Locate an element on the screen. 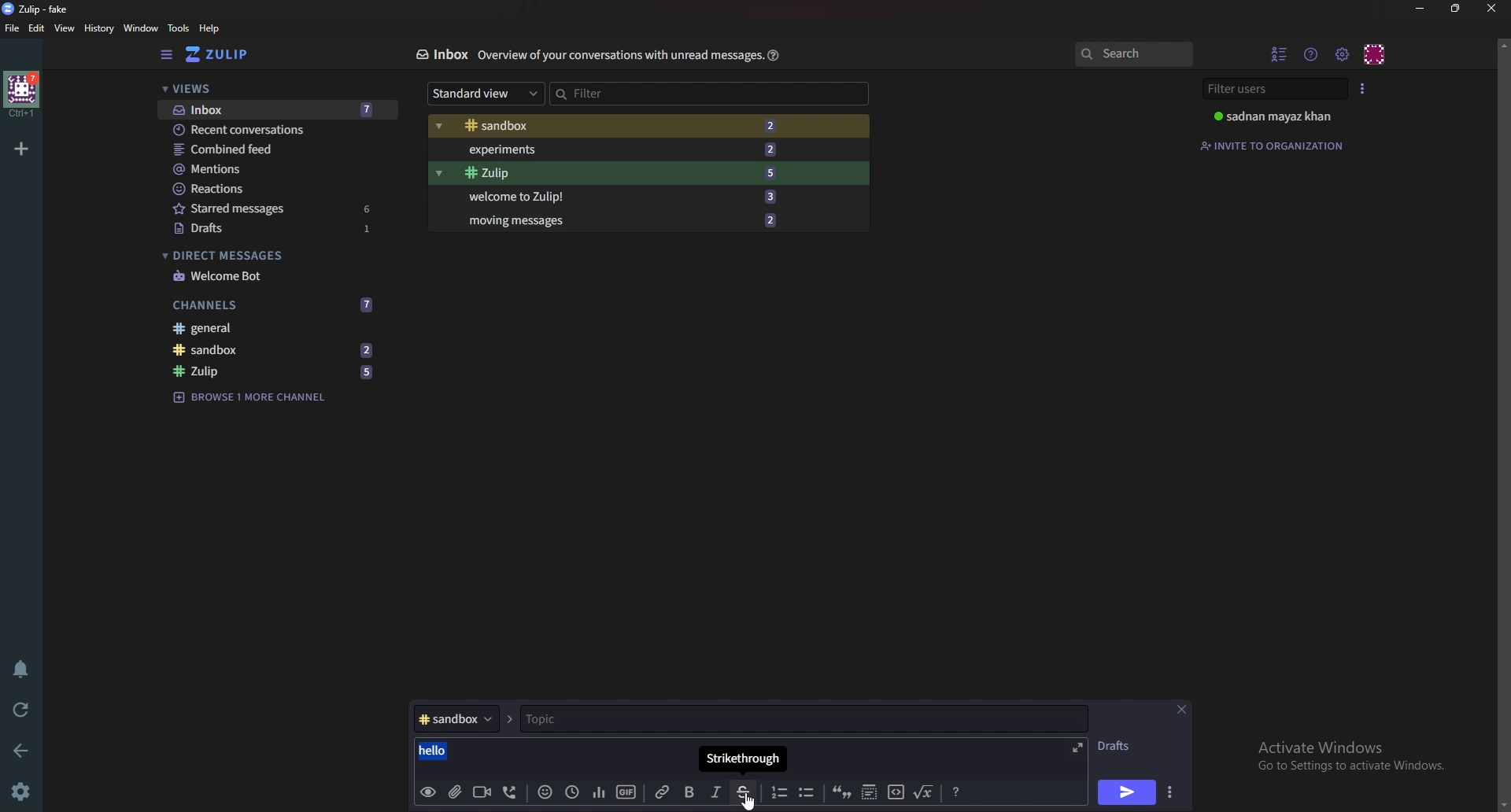  Video call is located at coordinates (481, 795).